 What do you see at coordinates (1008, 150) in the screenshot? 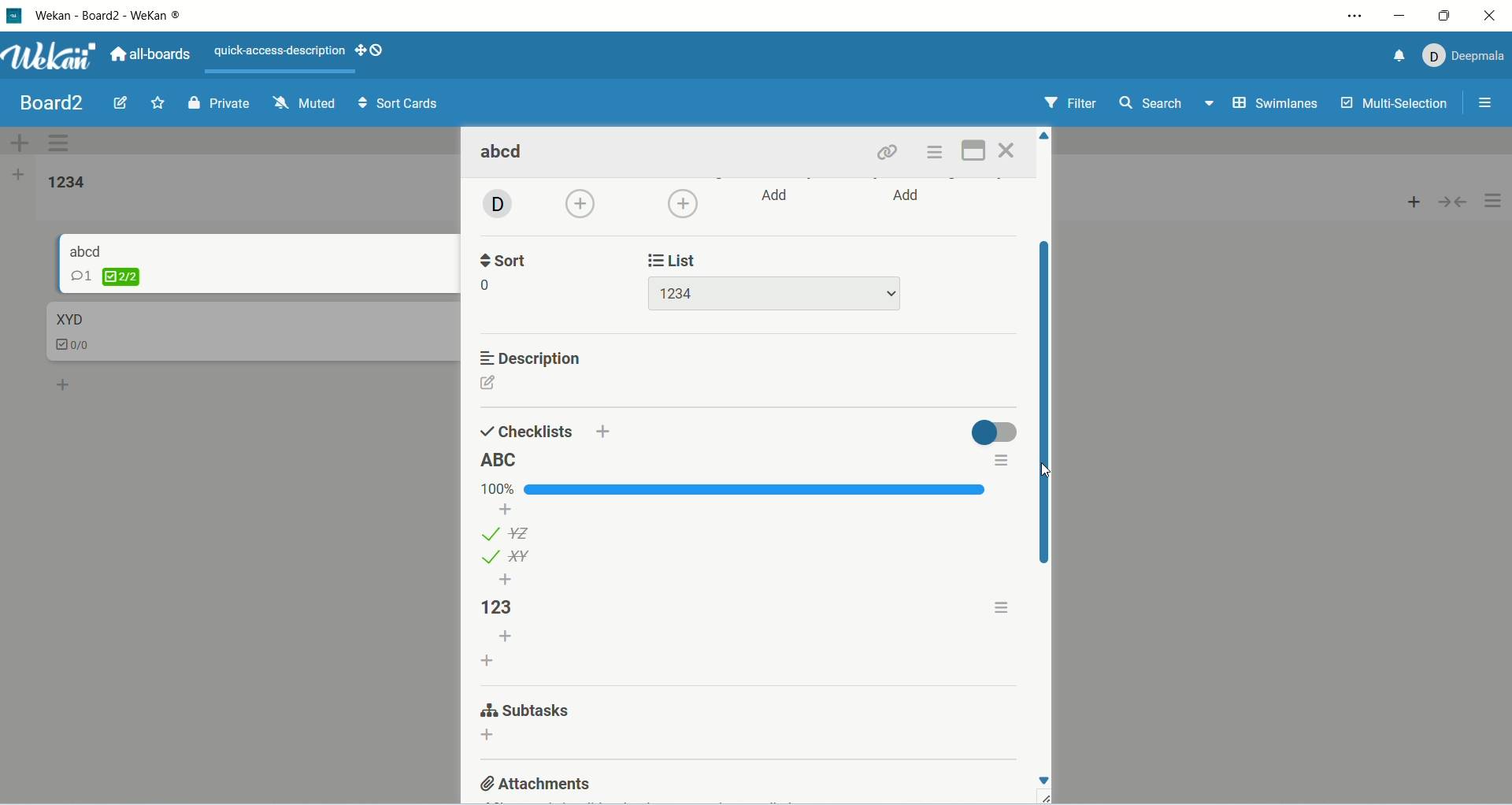
I see `close` at bounding box center [1008, 150].